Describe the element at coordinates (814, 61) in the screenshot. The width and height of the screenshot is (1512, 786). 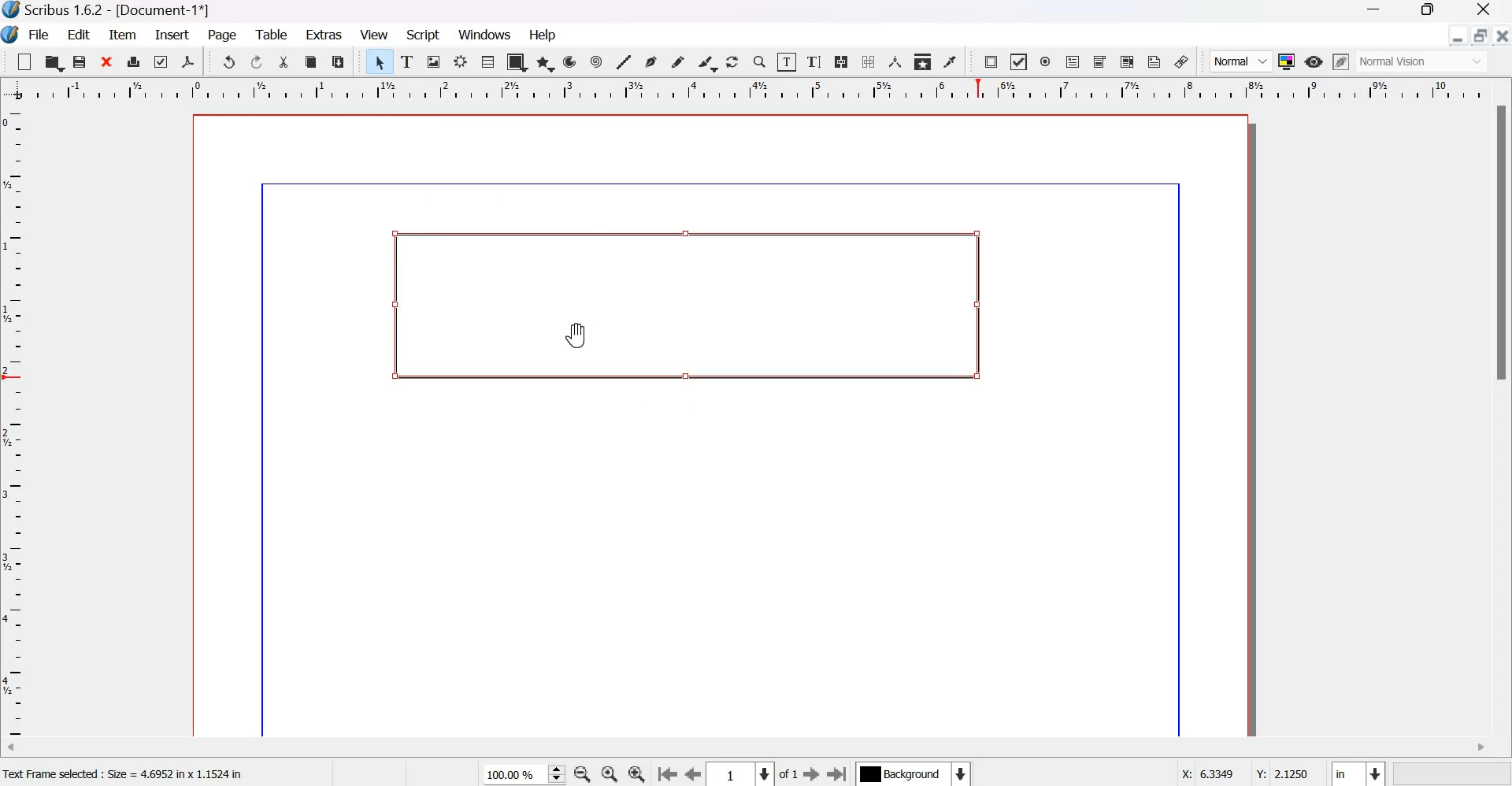
I see `edit text with story editor` at that location.